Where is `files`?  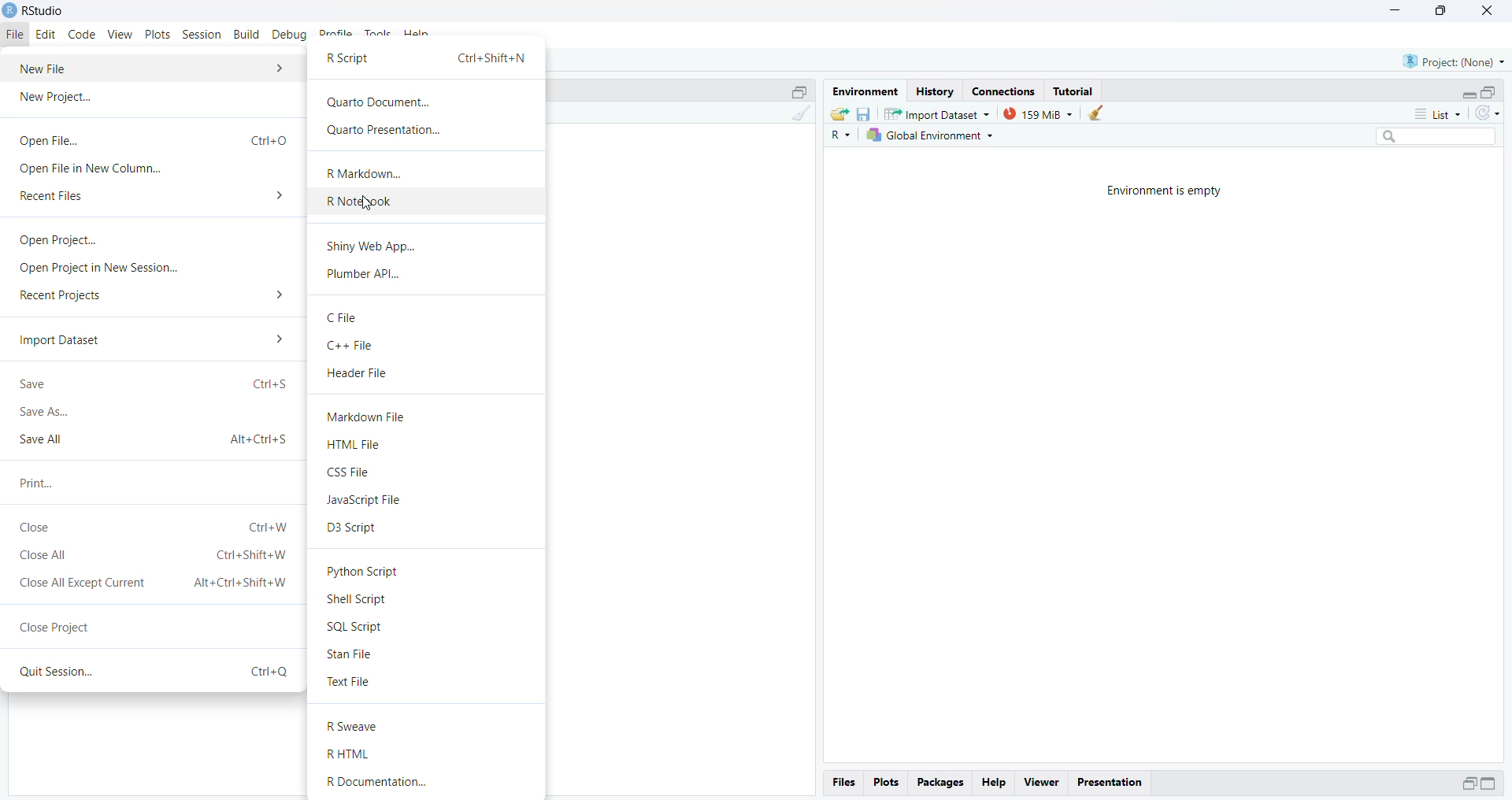
files is located at coordinates (843, 783).